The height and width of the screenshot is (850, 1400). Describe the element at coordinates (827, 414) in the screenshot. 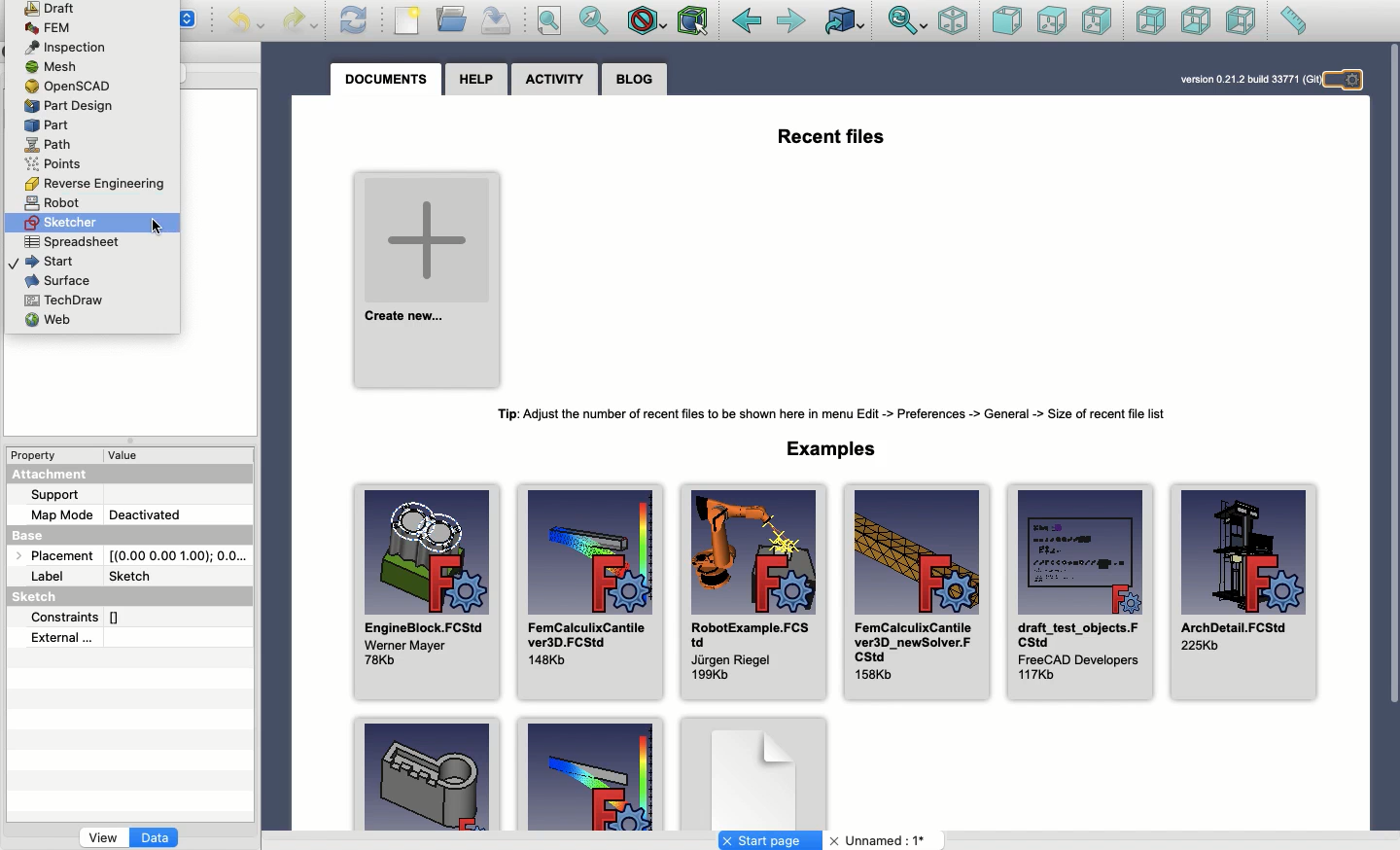

I see `Tip: Adjust the number of recent files to be shown here in menu Edit -> Preferences -> General -> Size of recent file list` at that location.